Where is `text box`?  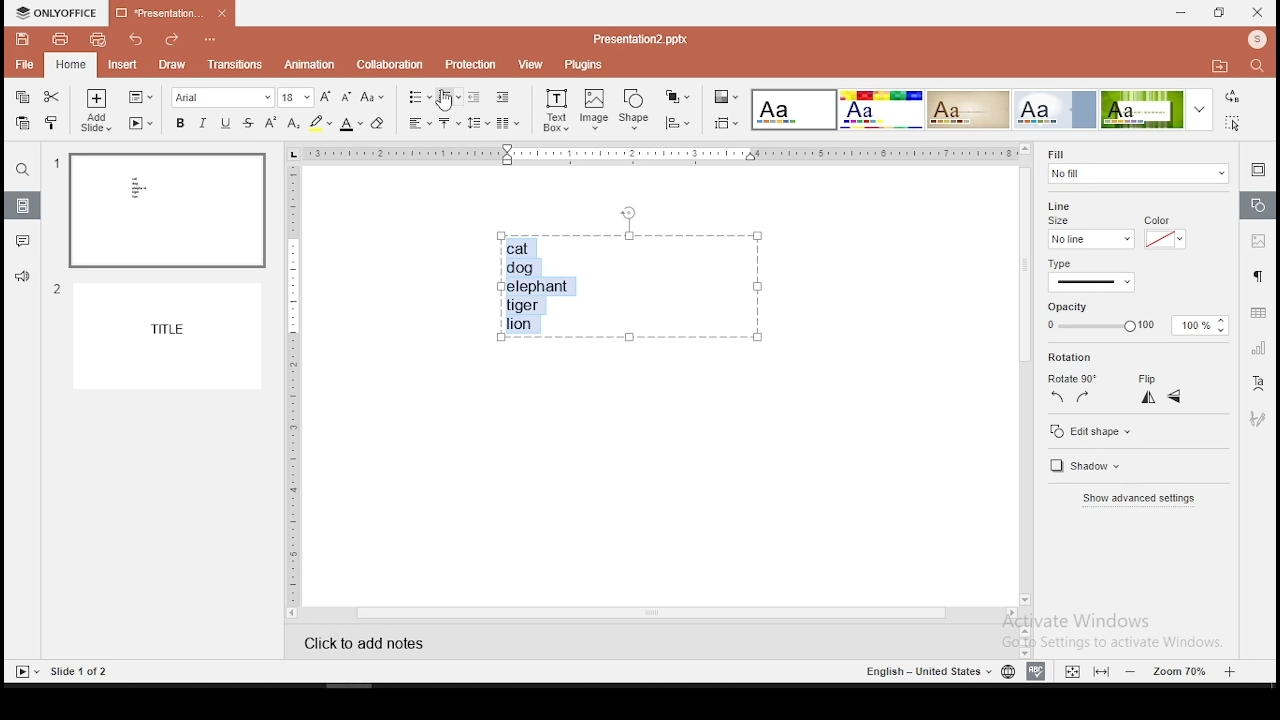
text box is located at coordinates (556, 112).